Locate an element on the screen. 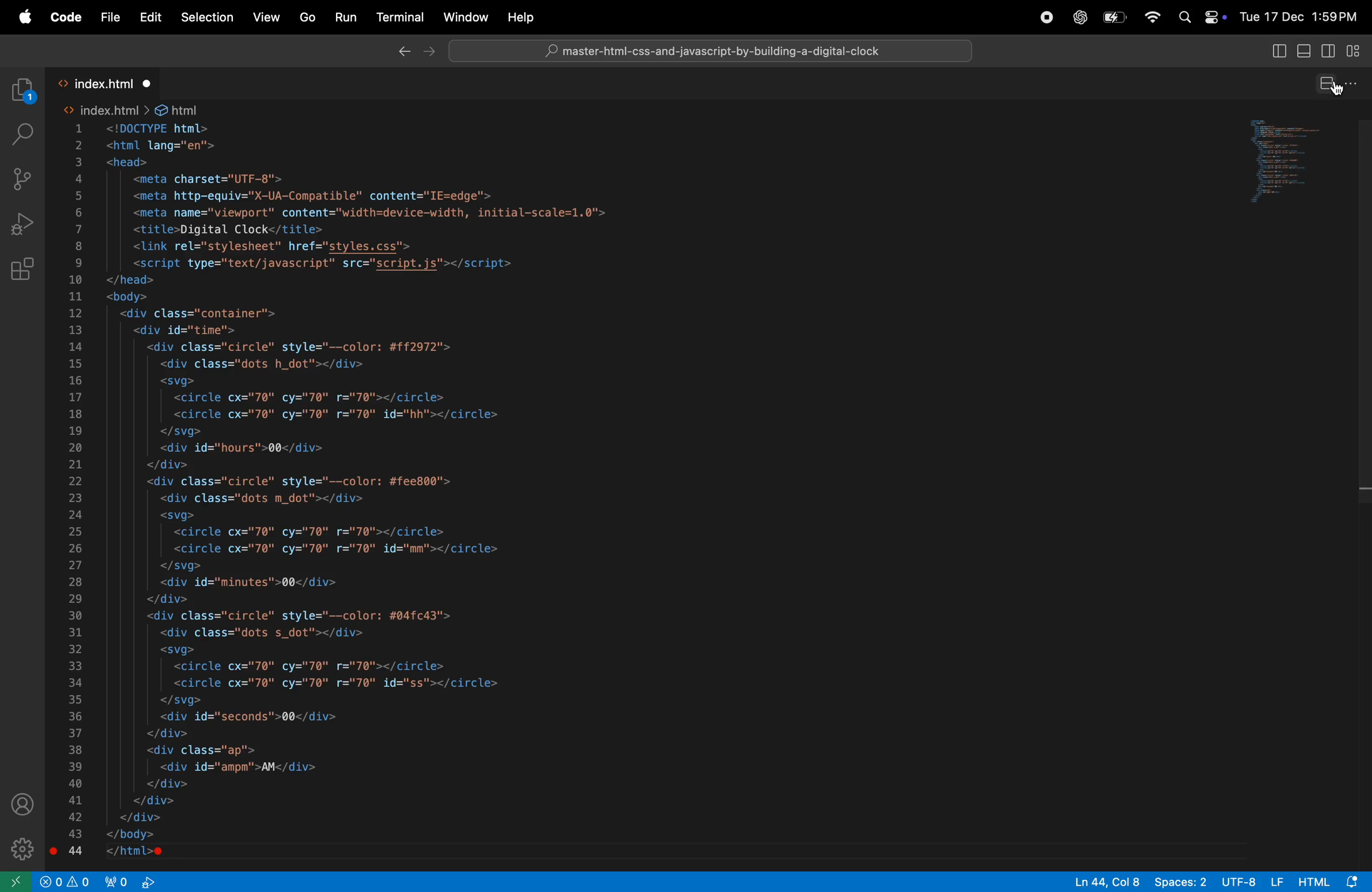 The width and height of the screenshot is (1372, 892). view port is located at coordinates (131, 882).